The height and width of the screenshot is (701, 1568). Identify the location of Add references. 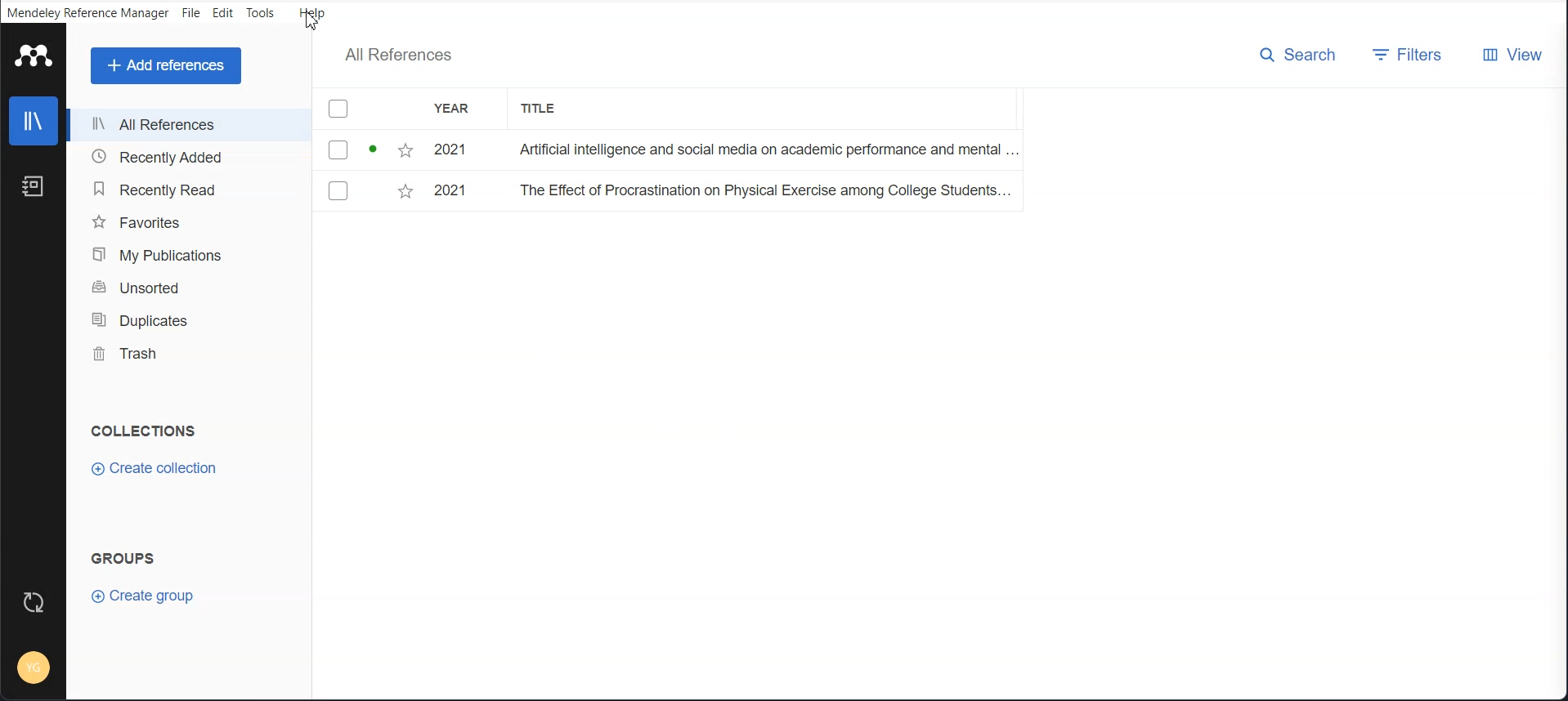
(165, 65).